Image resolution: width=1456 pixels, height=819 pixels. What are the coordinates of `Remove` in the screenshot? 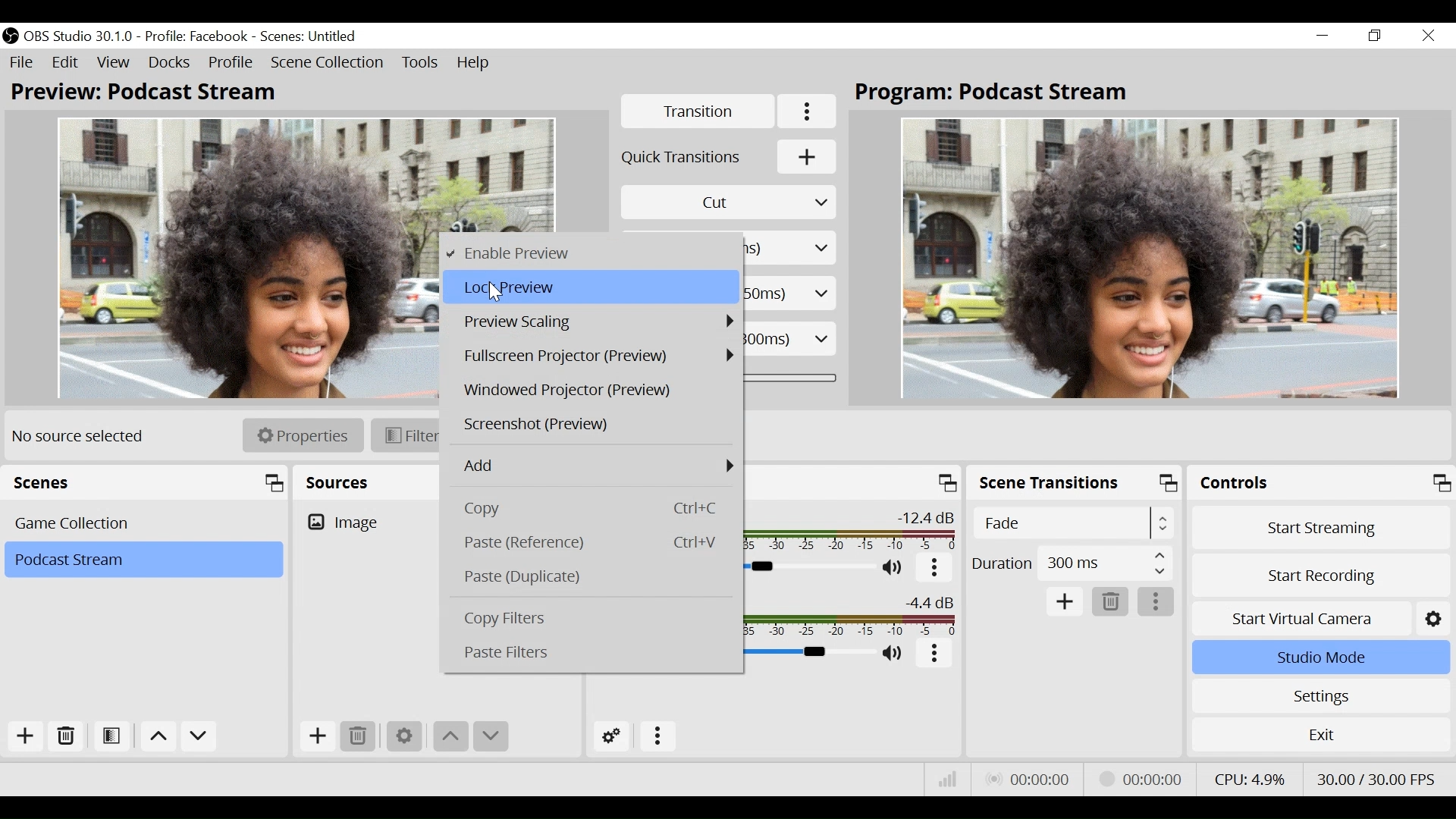 It's located at (360, 736).